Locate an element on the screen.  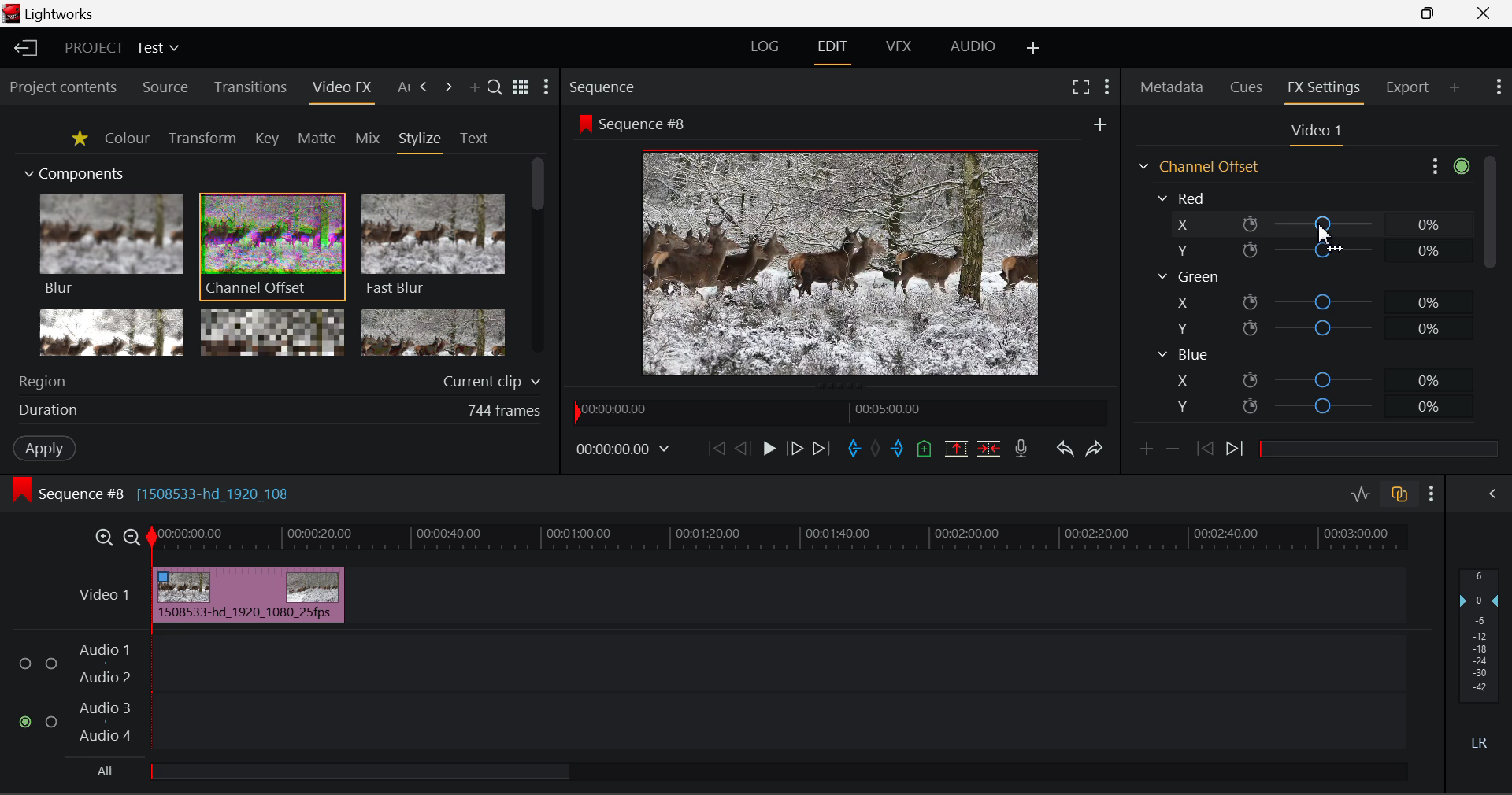
Cues is located at coordinates (1246, 87).